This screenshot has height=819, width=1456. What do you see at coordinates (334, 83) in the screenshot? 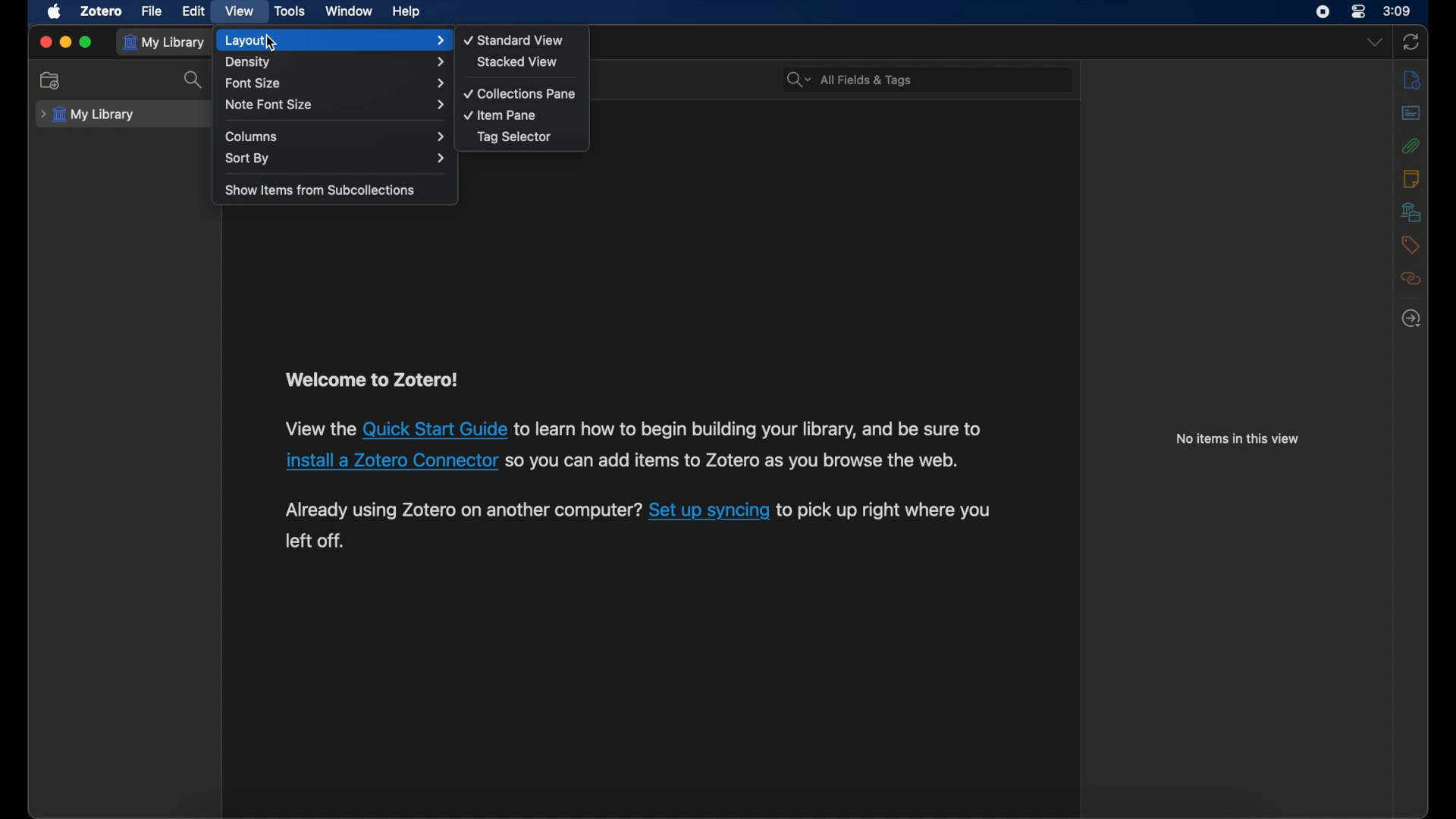
I see `font size` at bounding box center [334, 83].